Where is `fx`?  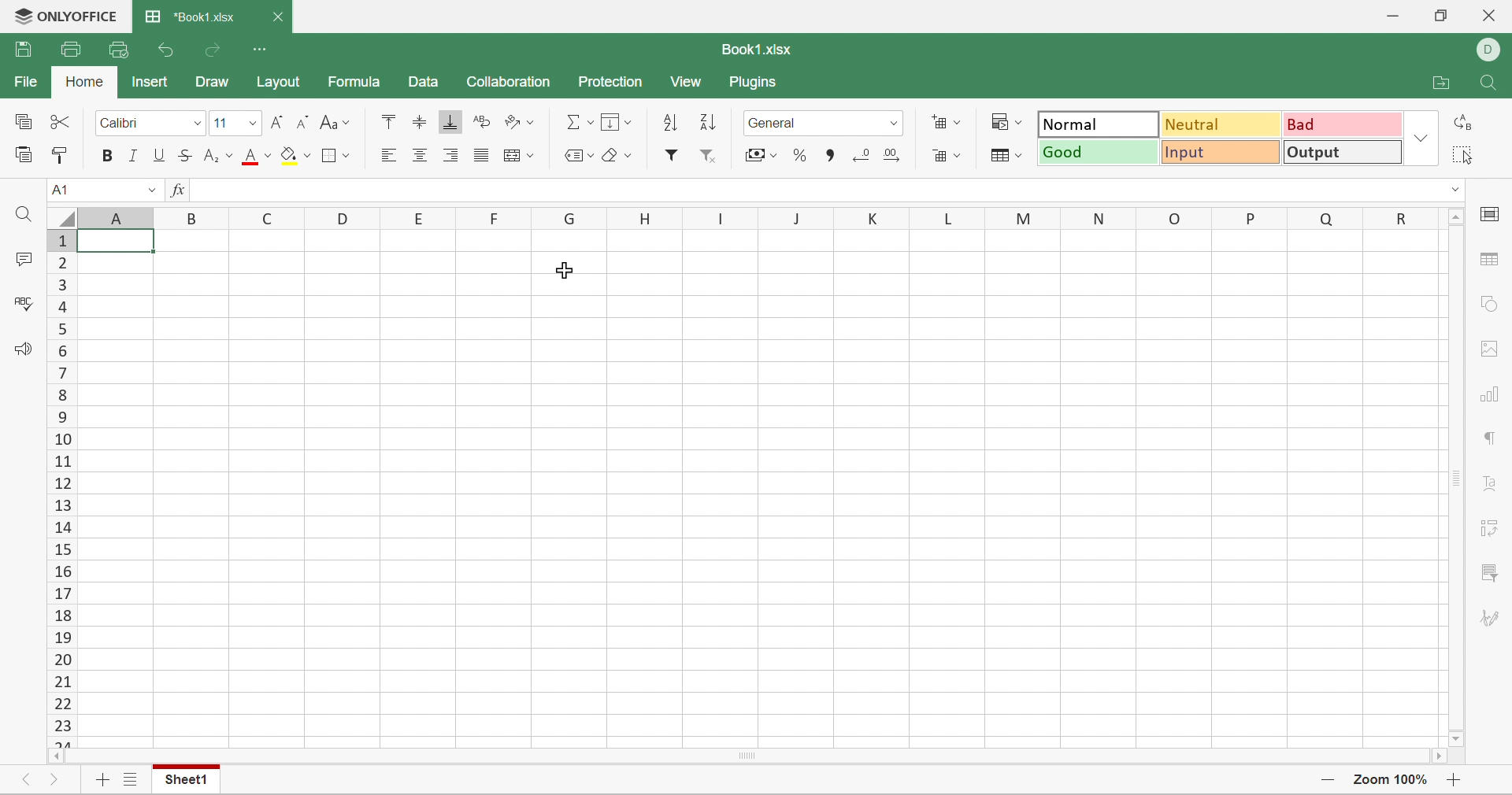
fx is located at coordinates (174, 190).